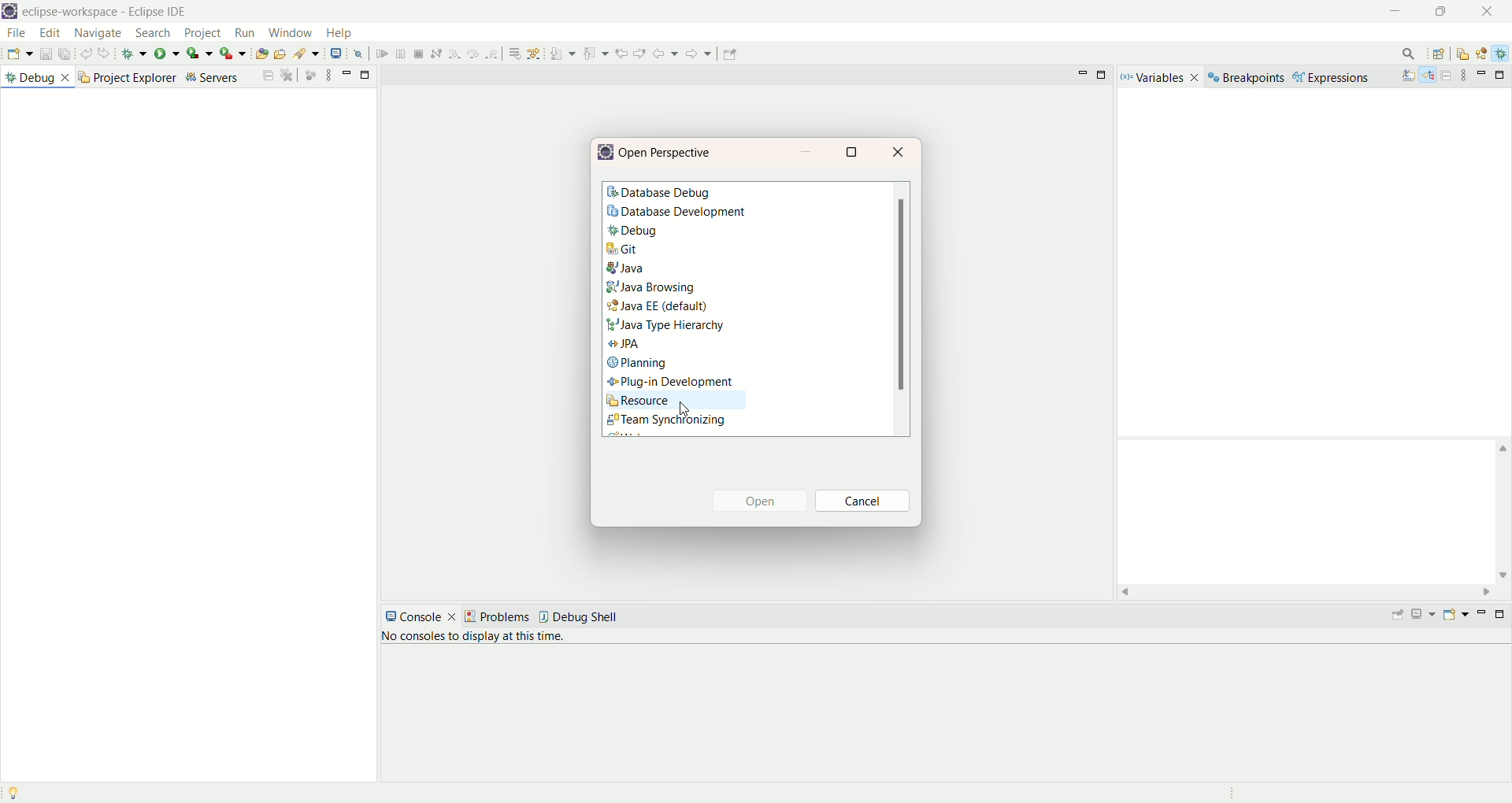 The height and width of the screenshot is (803, 1512). Describe the element at coordinates (376, 54) in the screenshot. I see `search` at that location.